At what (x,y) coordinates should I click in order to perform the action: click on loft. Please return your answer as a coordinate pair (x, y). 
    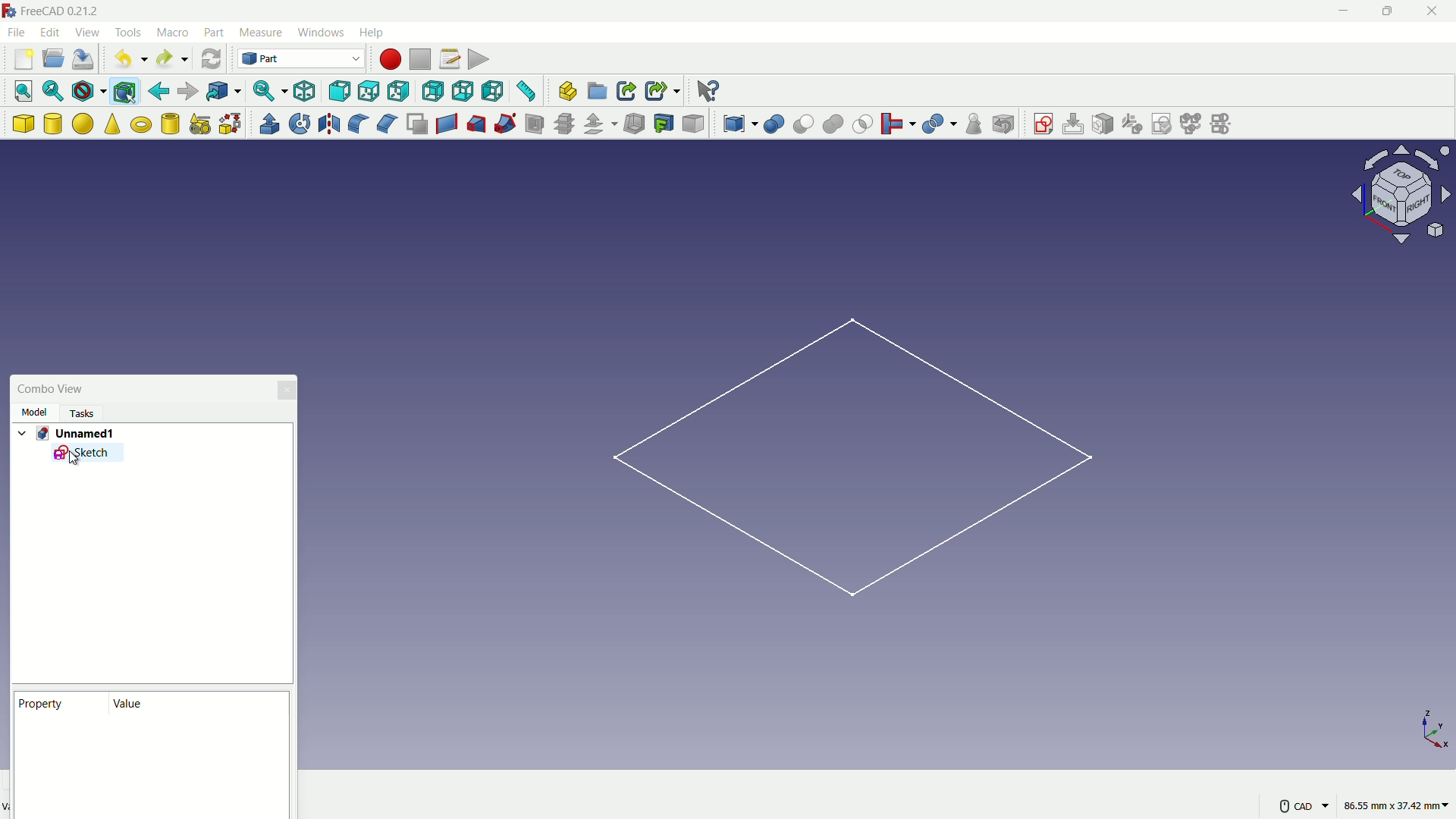
    Looking at the image, I should click on (477, 124).